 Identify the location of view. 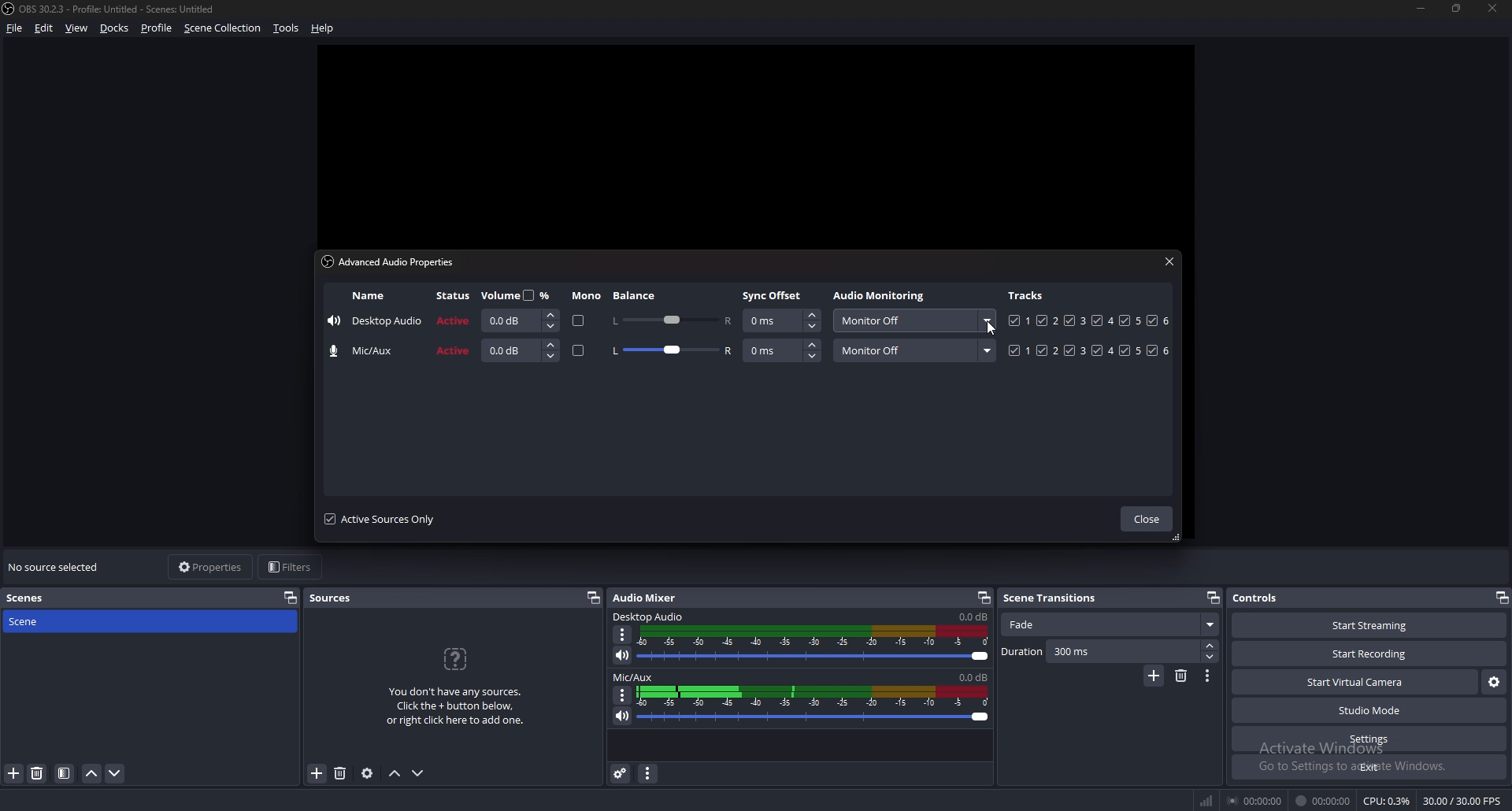
(77, 28).